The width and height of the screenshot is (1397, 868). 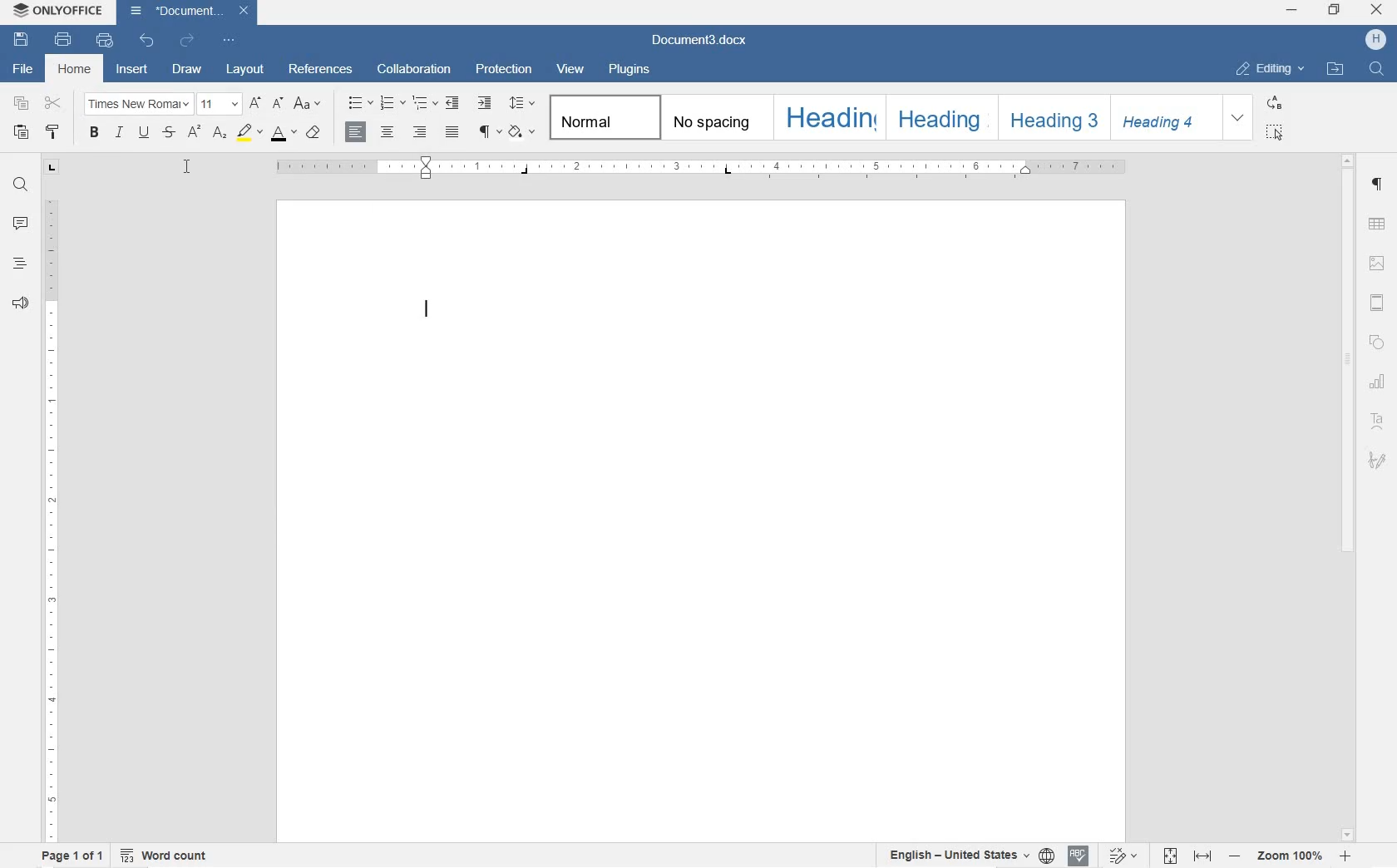 What do you see at coordinates (256, 102) in the screenshot?
I see `INCREMENT FONT SIZE` at bounding box center [256, 102].